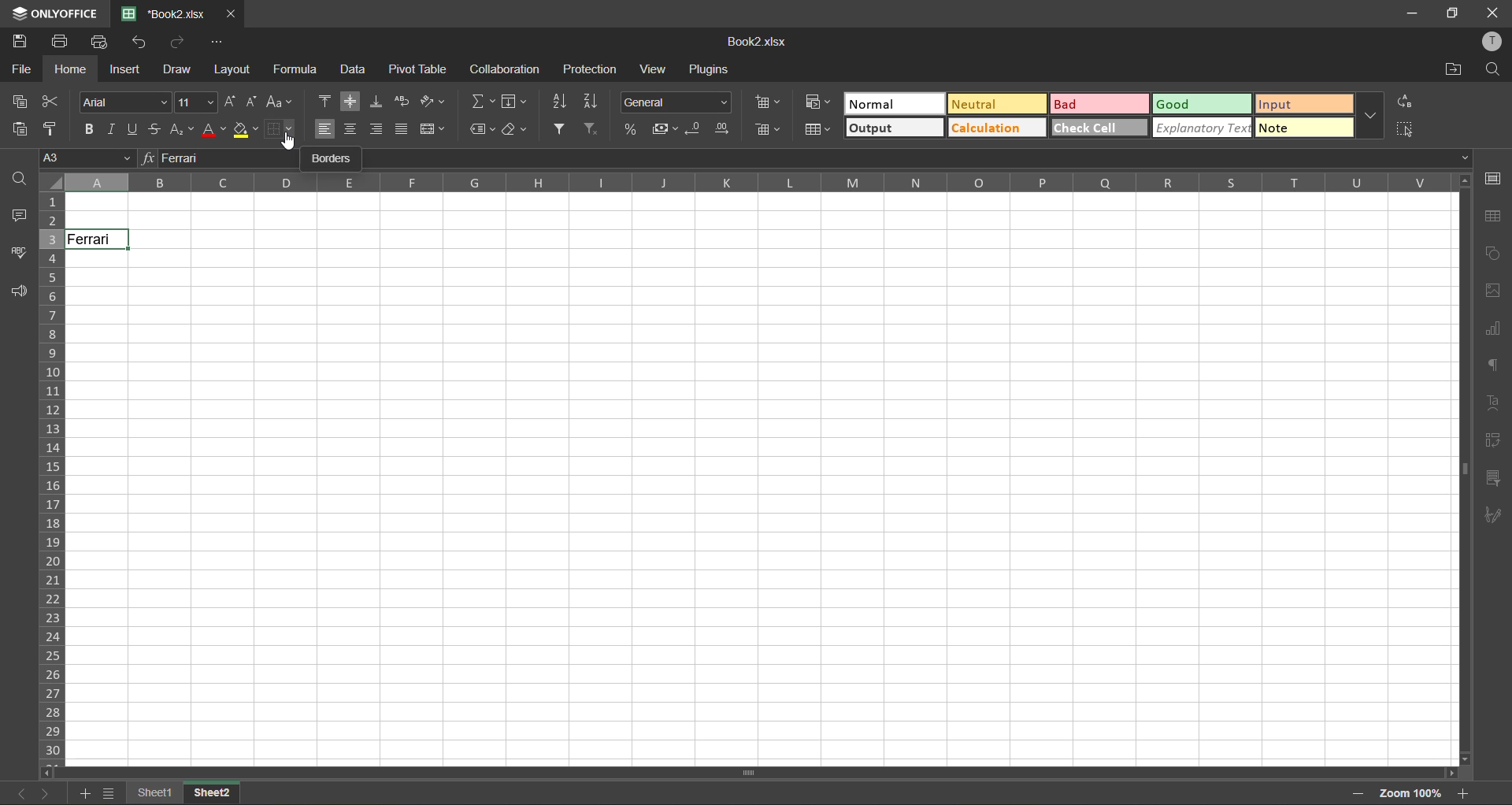 The height and width of the screenshot is (805, 1512). What do you see at coordinates (755, 37) in the screenshot?
I see `Book2 xlsx` at bounding box center [755, 37].